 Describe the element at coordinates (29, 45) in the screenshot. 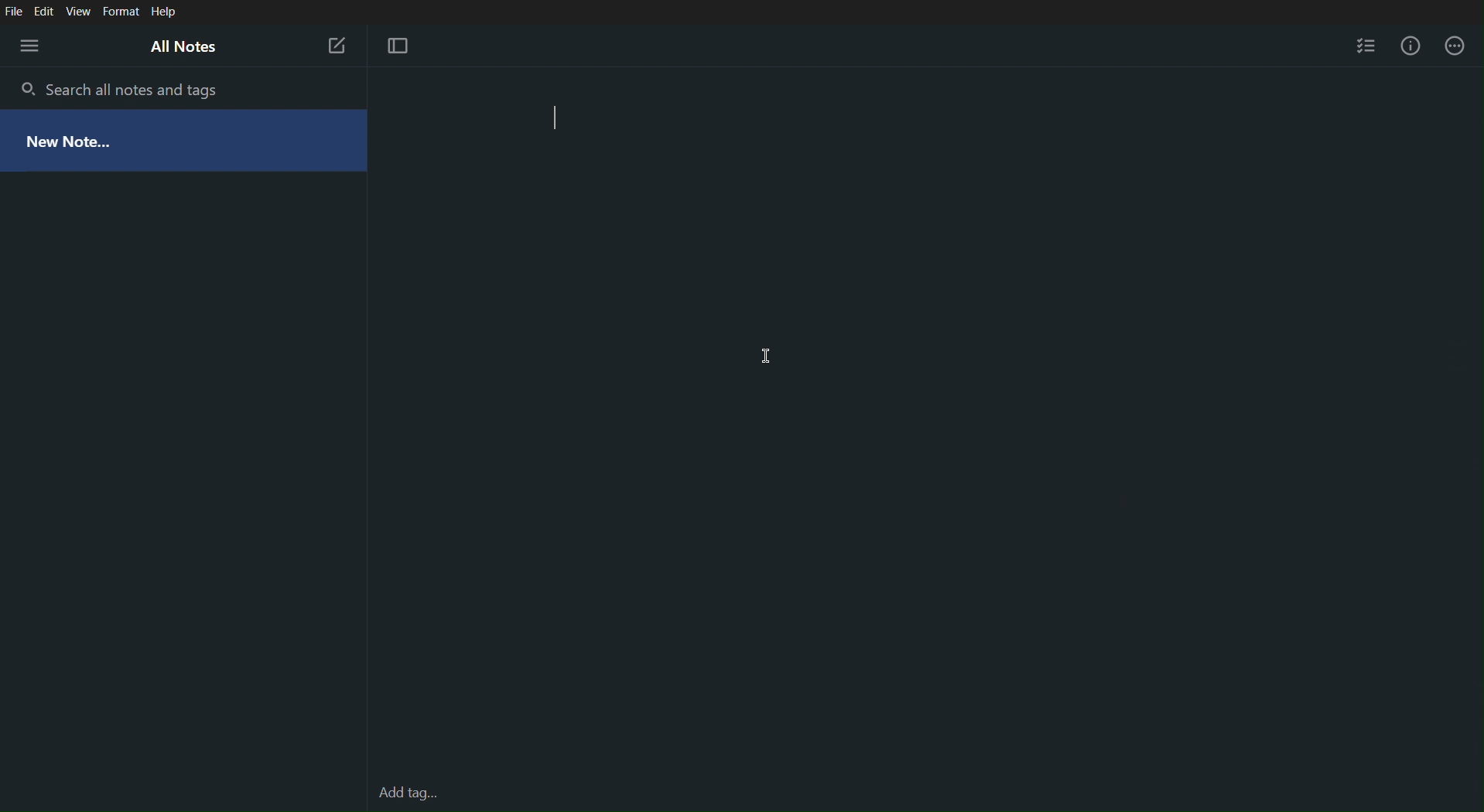

I see `More` at that location.